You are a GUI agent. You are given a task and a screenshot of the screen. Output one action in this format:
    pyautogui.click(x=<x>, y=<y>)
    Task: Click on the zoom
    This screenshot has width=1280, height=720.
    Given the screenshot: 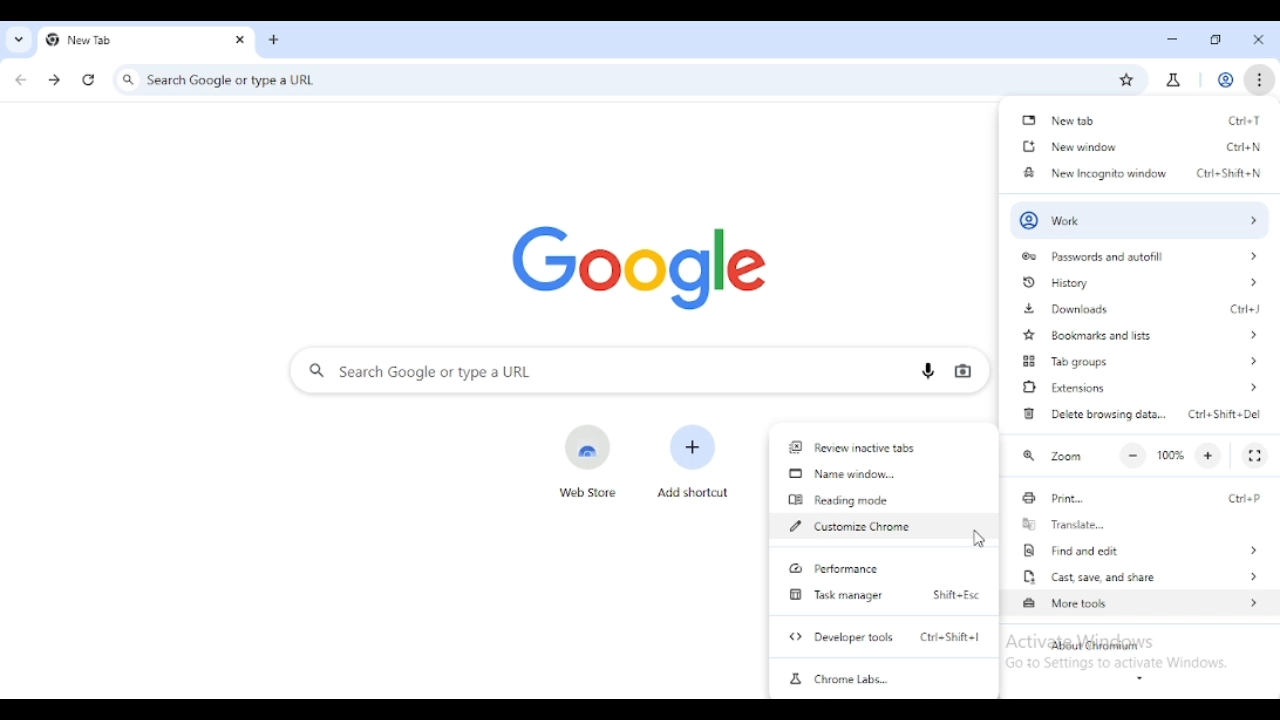 What is the action you would take?
    pyautogui.click(x=1052, y=456)
    